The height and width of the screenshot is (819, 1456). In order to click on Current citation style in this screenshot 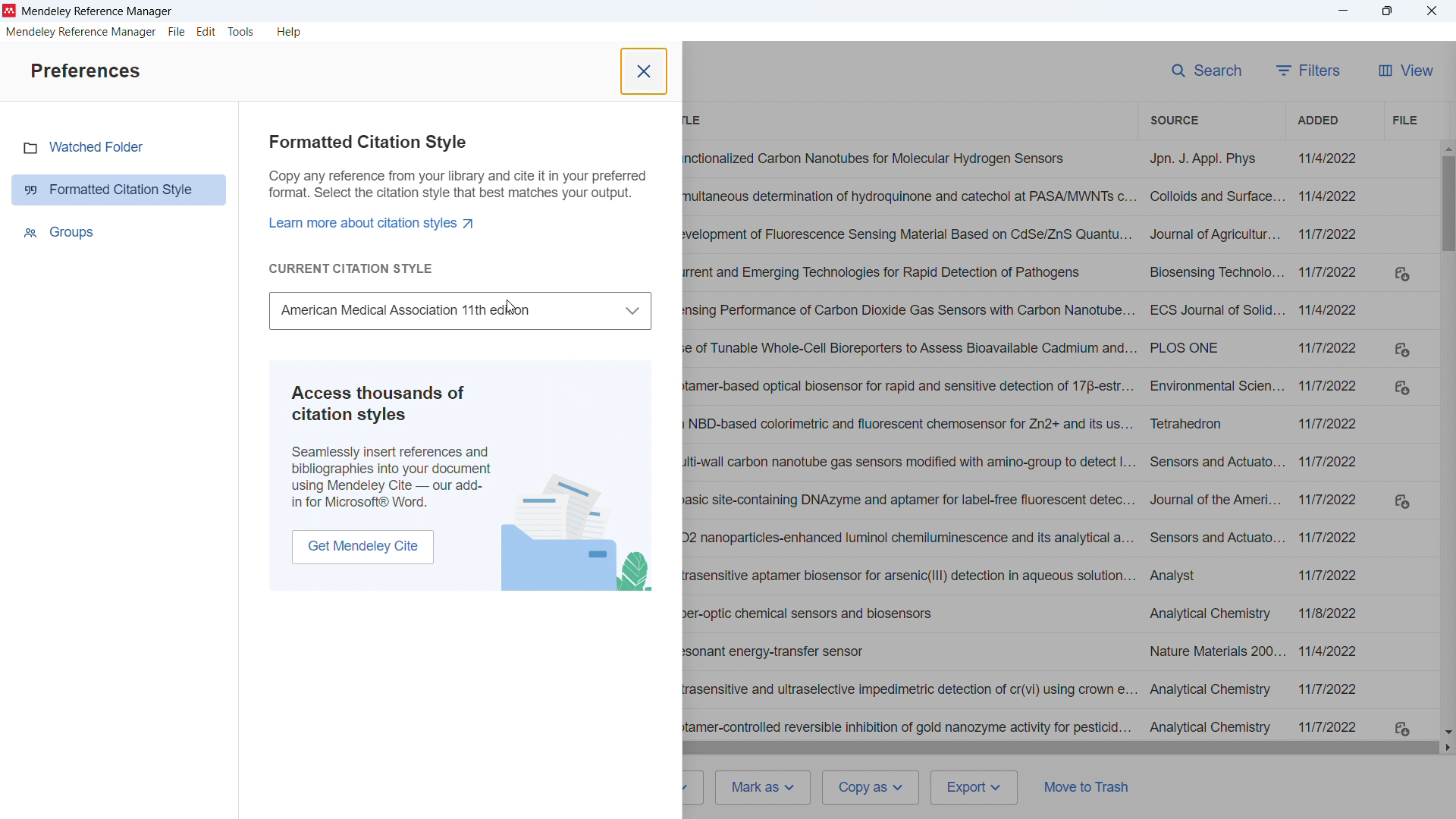, I will do `click(350, 268)`.